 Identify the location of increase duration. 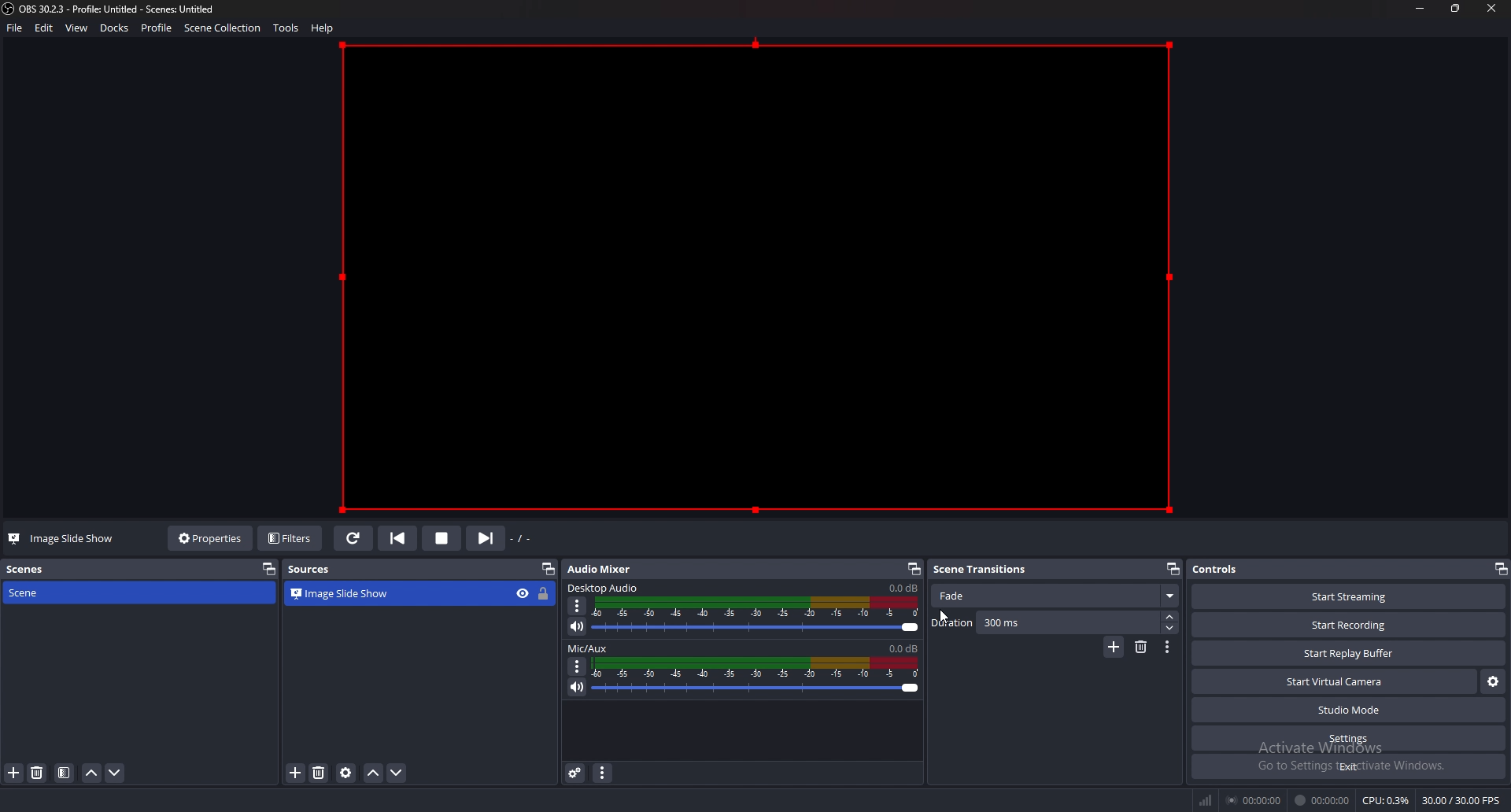
(1169, 617).